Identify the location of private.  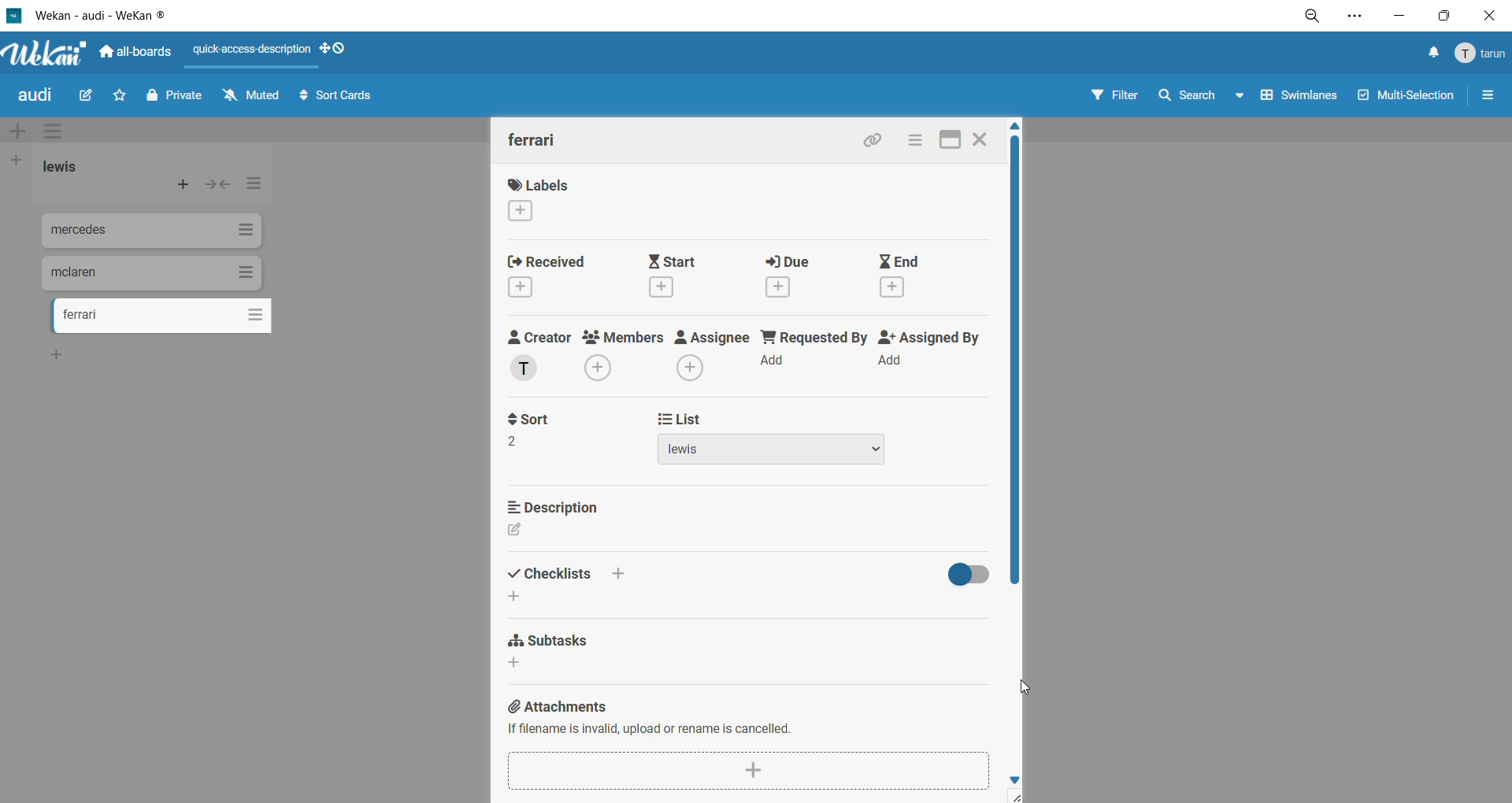
(174, 100).